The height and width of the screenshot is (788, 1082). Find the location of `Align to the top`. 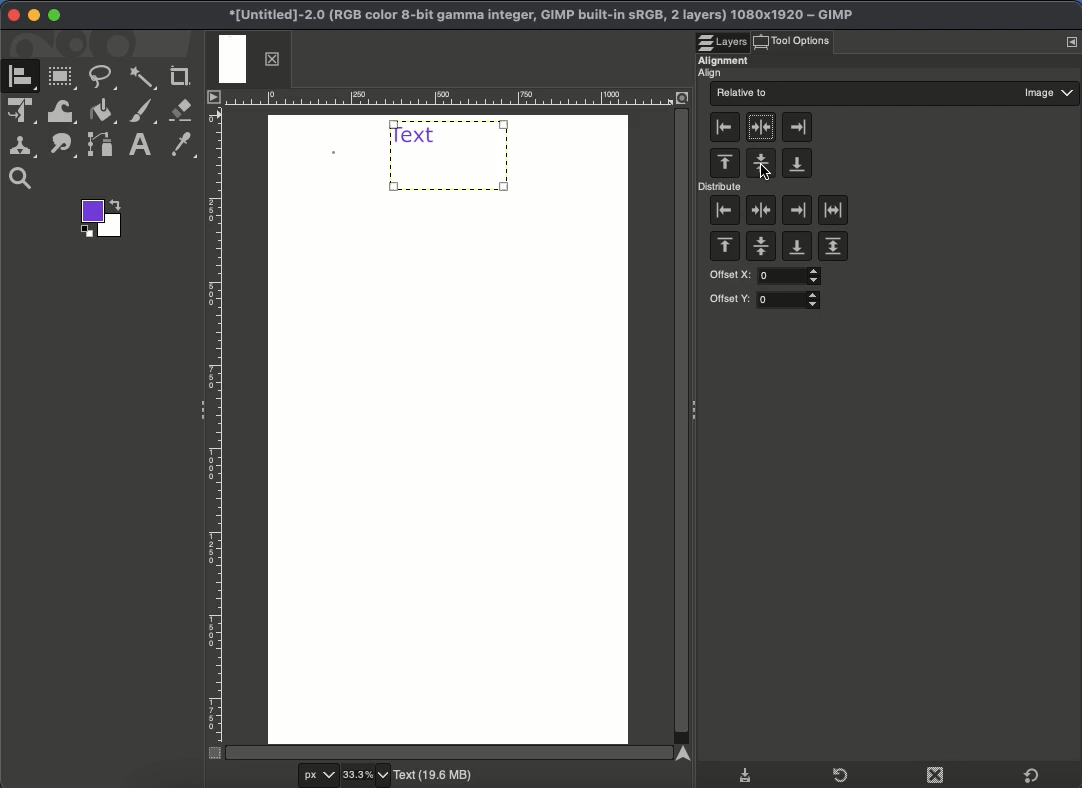

Align to the top is located at coordinates (725, 164).